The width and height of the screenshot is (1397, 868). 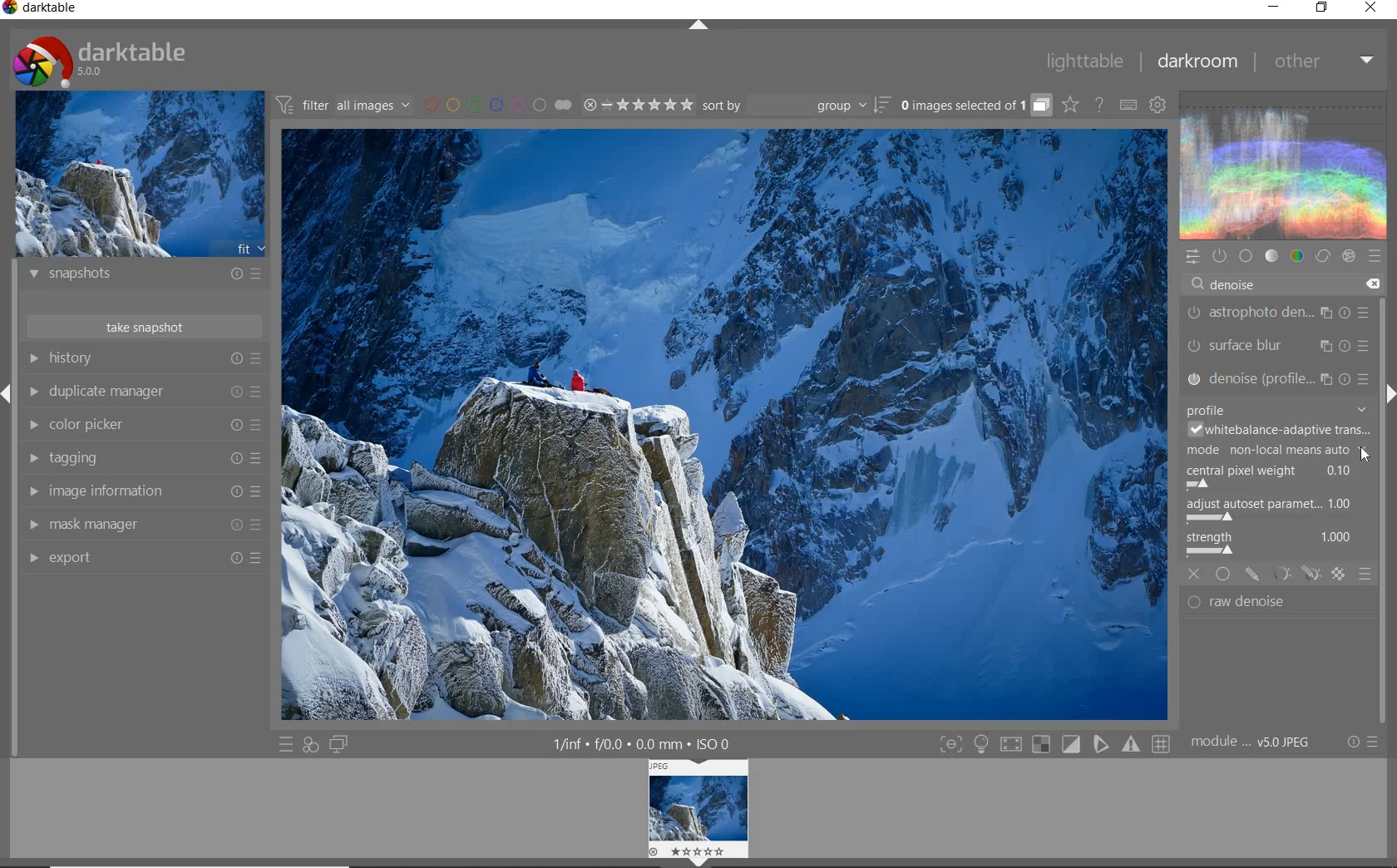 I want to click on MASKING OPTIONS, so click(x=1308, y=575).